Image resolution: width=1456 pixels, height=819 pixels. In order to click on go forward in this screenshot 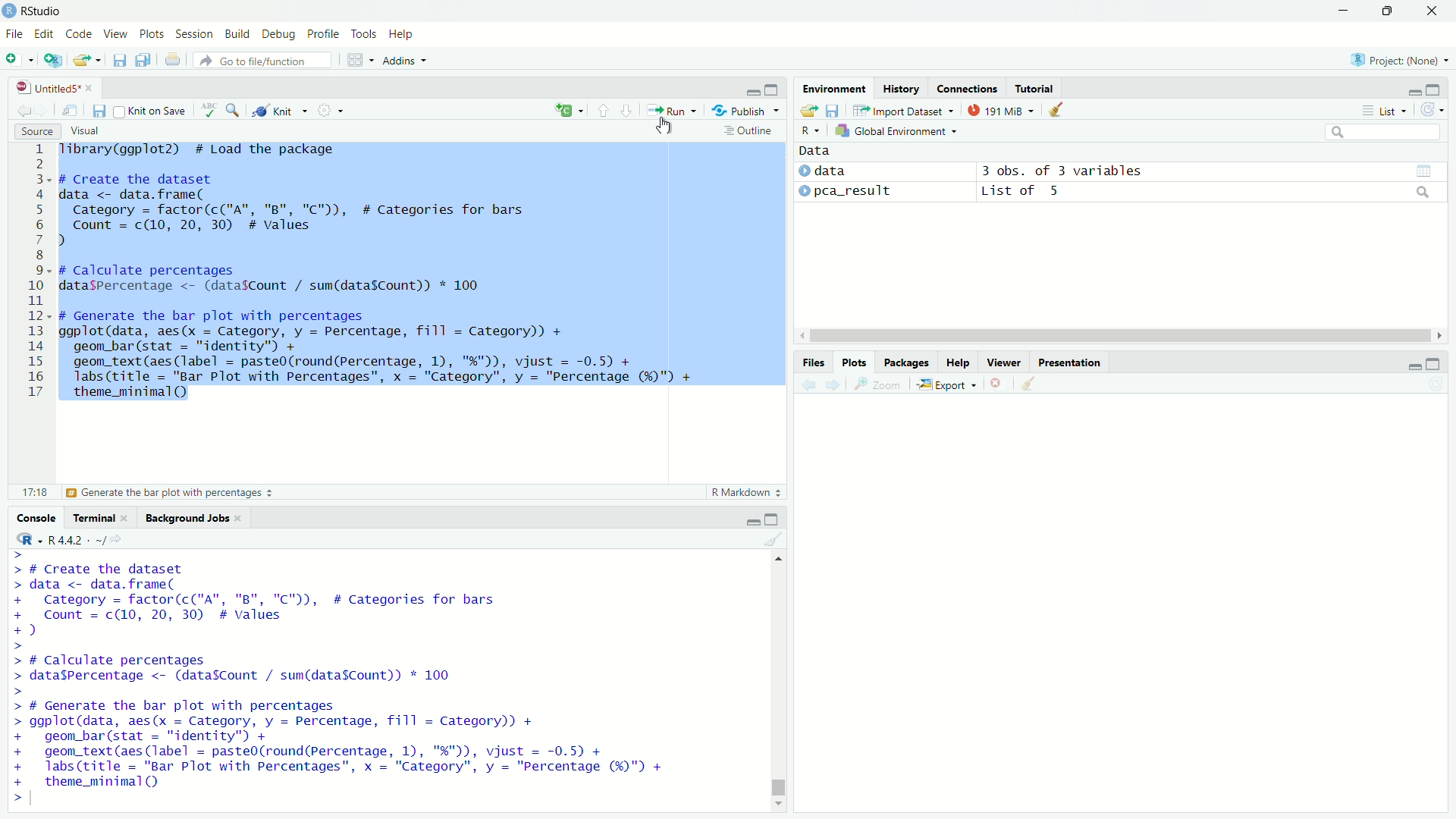, I will do `click(43, 111)`.